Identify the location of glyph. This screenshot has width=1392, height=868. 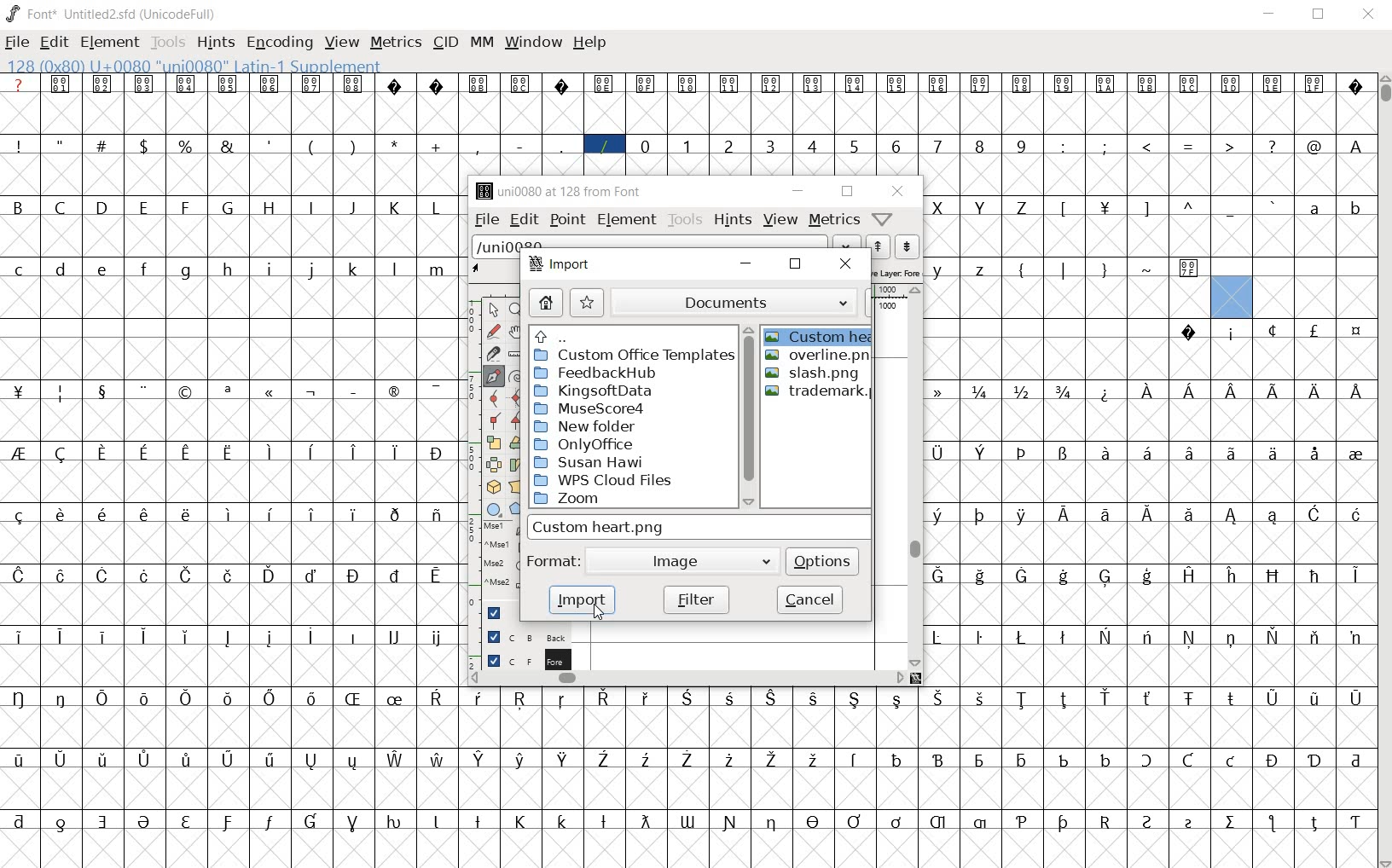
(1105, 146).